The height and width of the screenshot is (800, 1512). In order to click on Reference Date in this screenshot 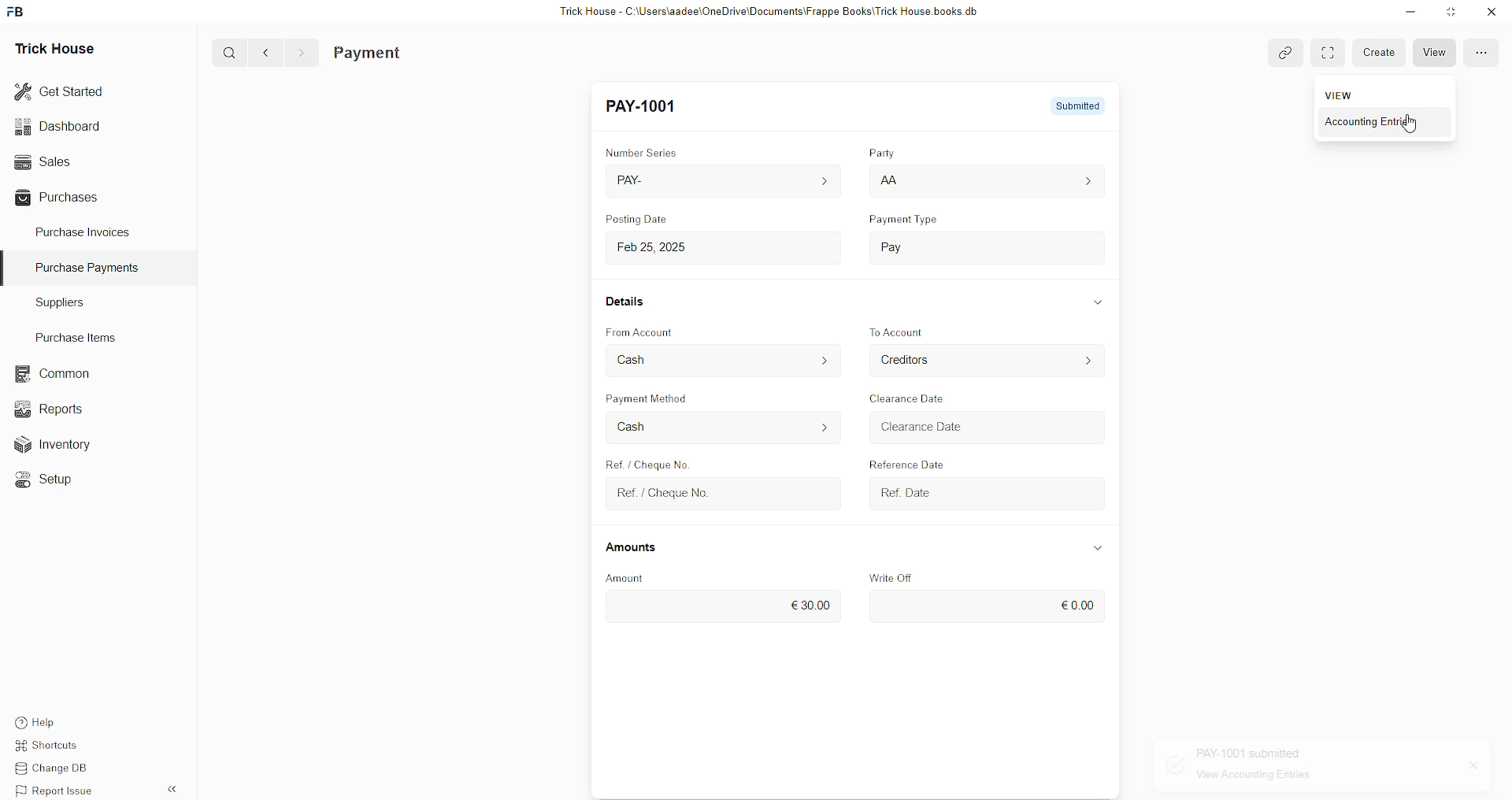, I will do `click(905, 461)`.